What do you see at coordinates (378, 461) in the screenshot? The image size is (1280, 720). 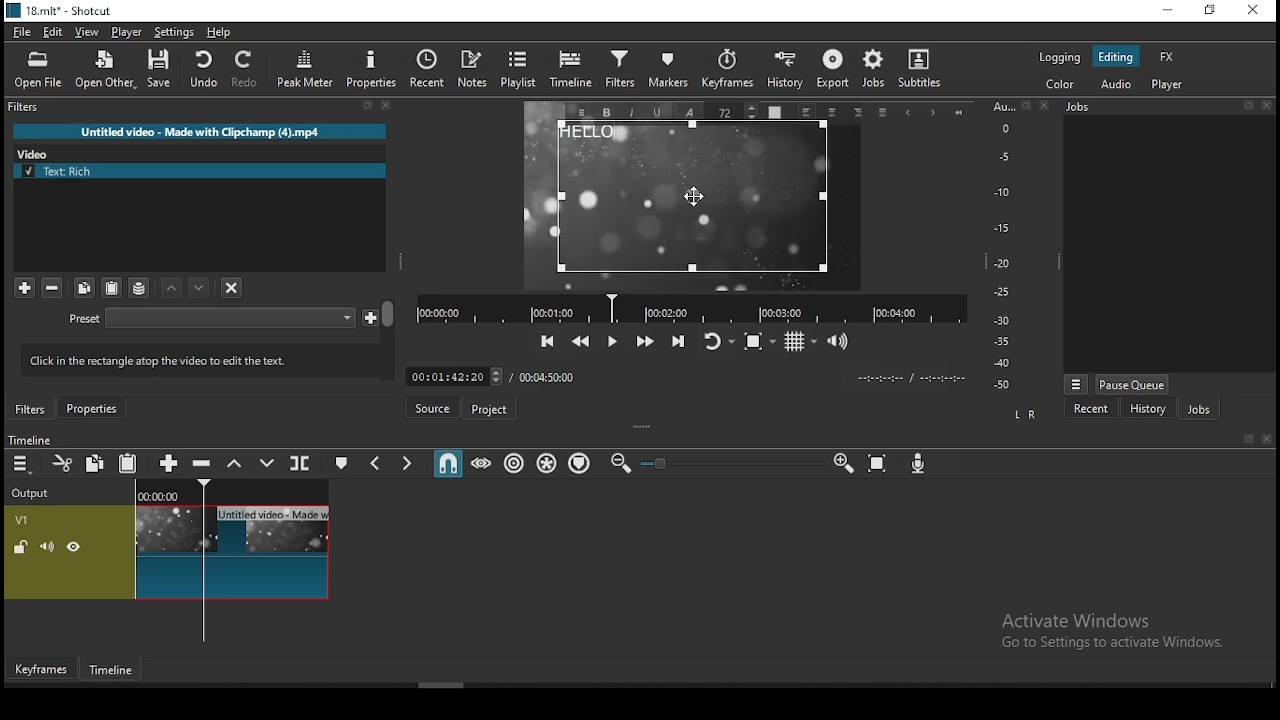 I see `previous marker` at bounding box center [378, 461].